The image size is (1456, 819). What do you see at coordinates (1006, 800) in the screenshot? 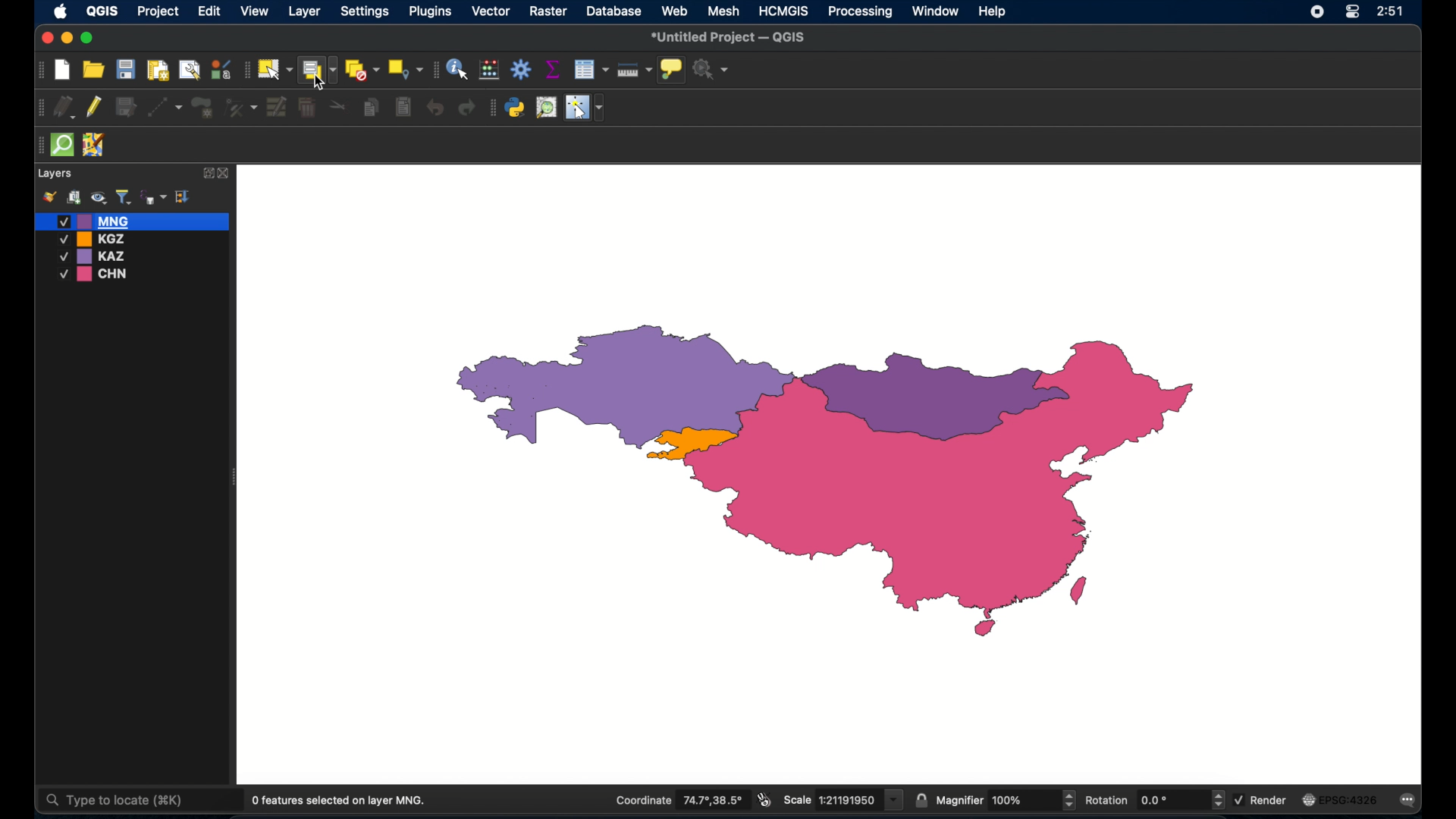
I see `magnifier 100%` at bounding box center [1006, 800].